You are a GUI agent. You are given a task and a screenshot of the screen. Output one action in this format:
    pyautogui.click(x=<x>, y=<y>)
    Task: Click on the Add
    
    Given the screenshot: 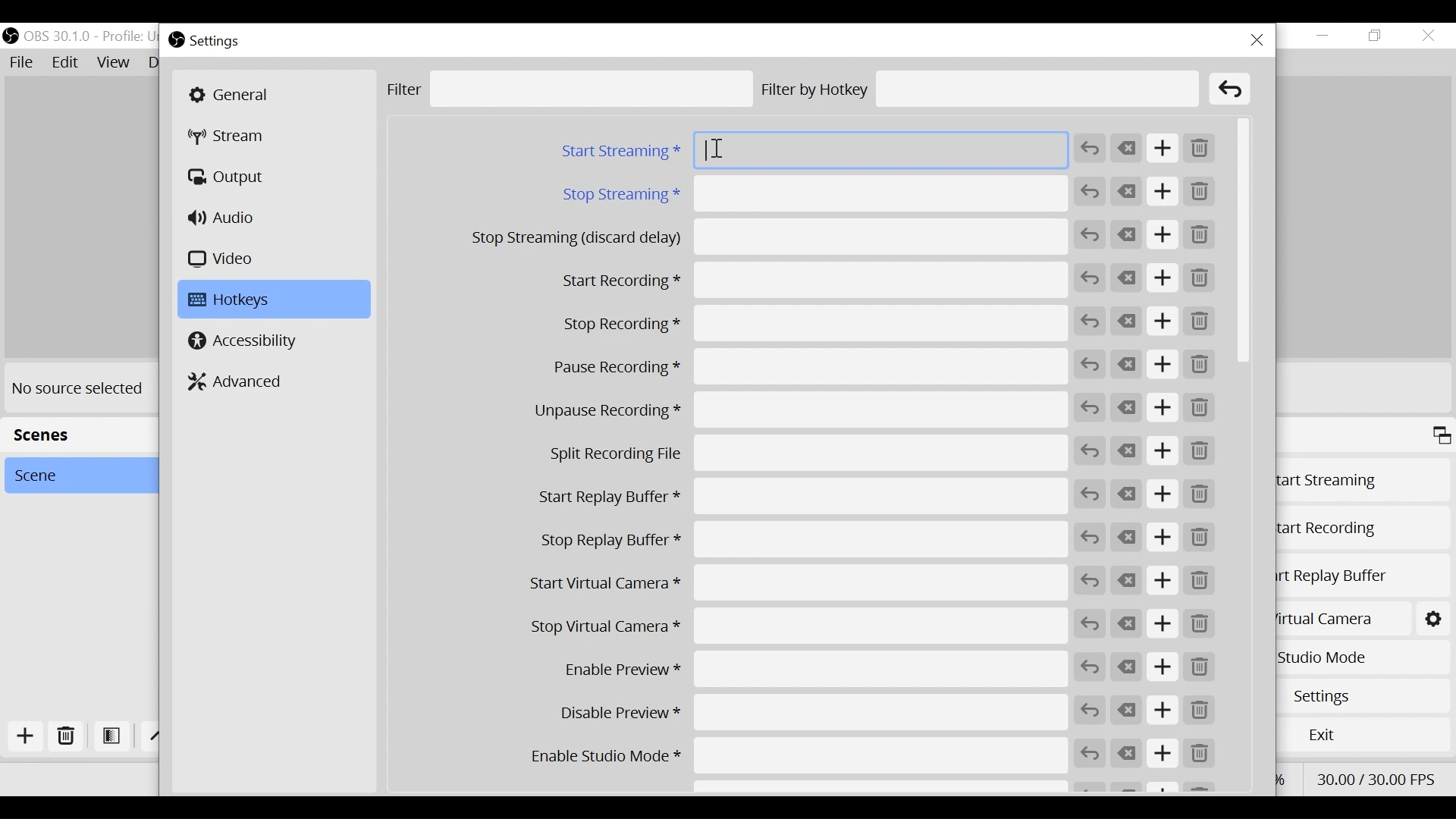 What is the action you would take?
    pyautogui.click(x=1163, y=754)
    